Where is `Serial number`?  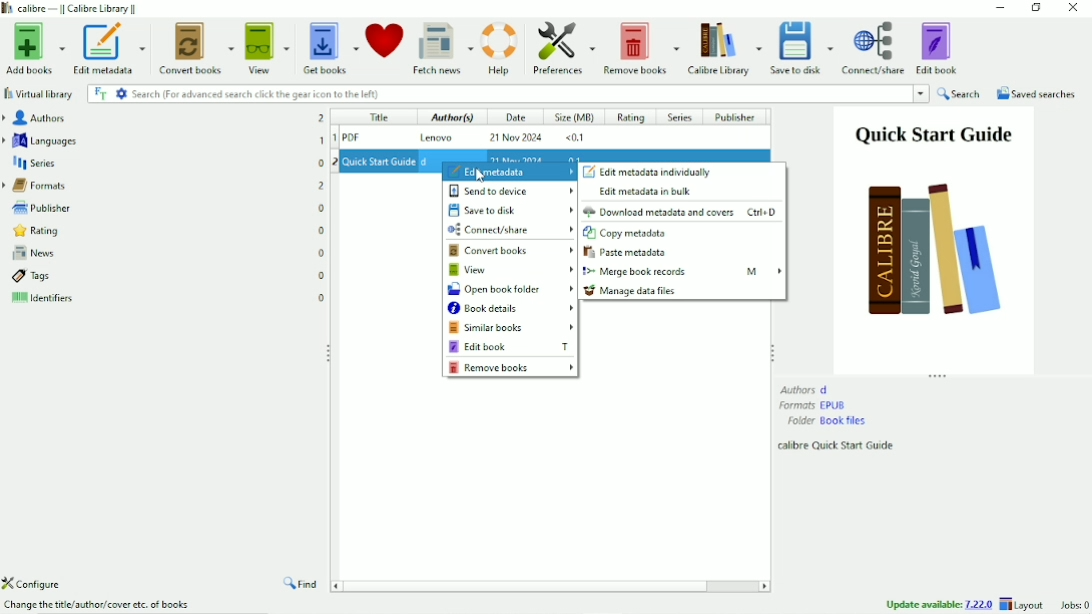 Serial number is located at coordinates (333, 144).